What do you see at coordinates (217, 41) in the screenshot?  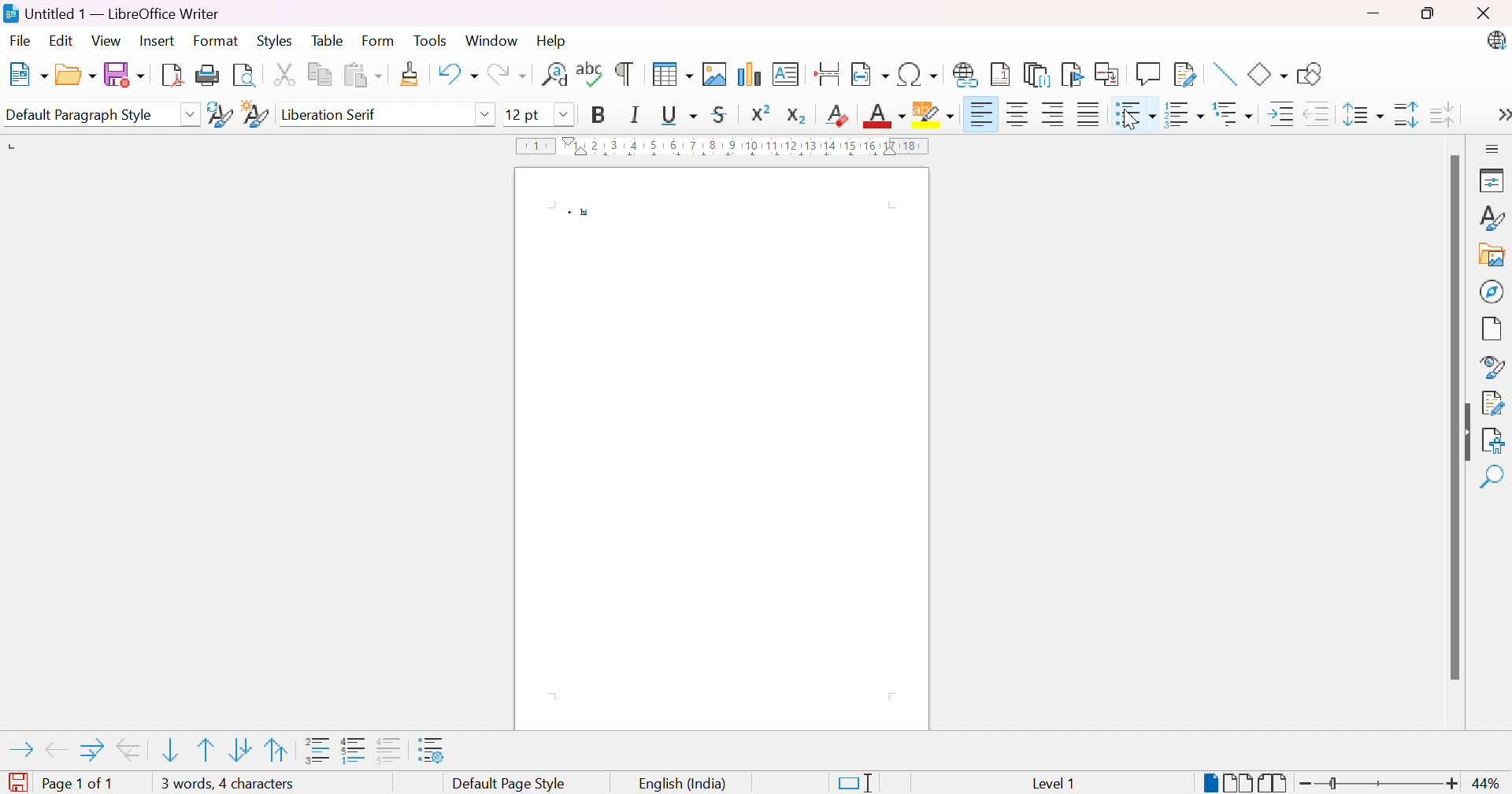 I see `Format` at bounding box center [217, 41].